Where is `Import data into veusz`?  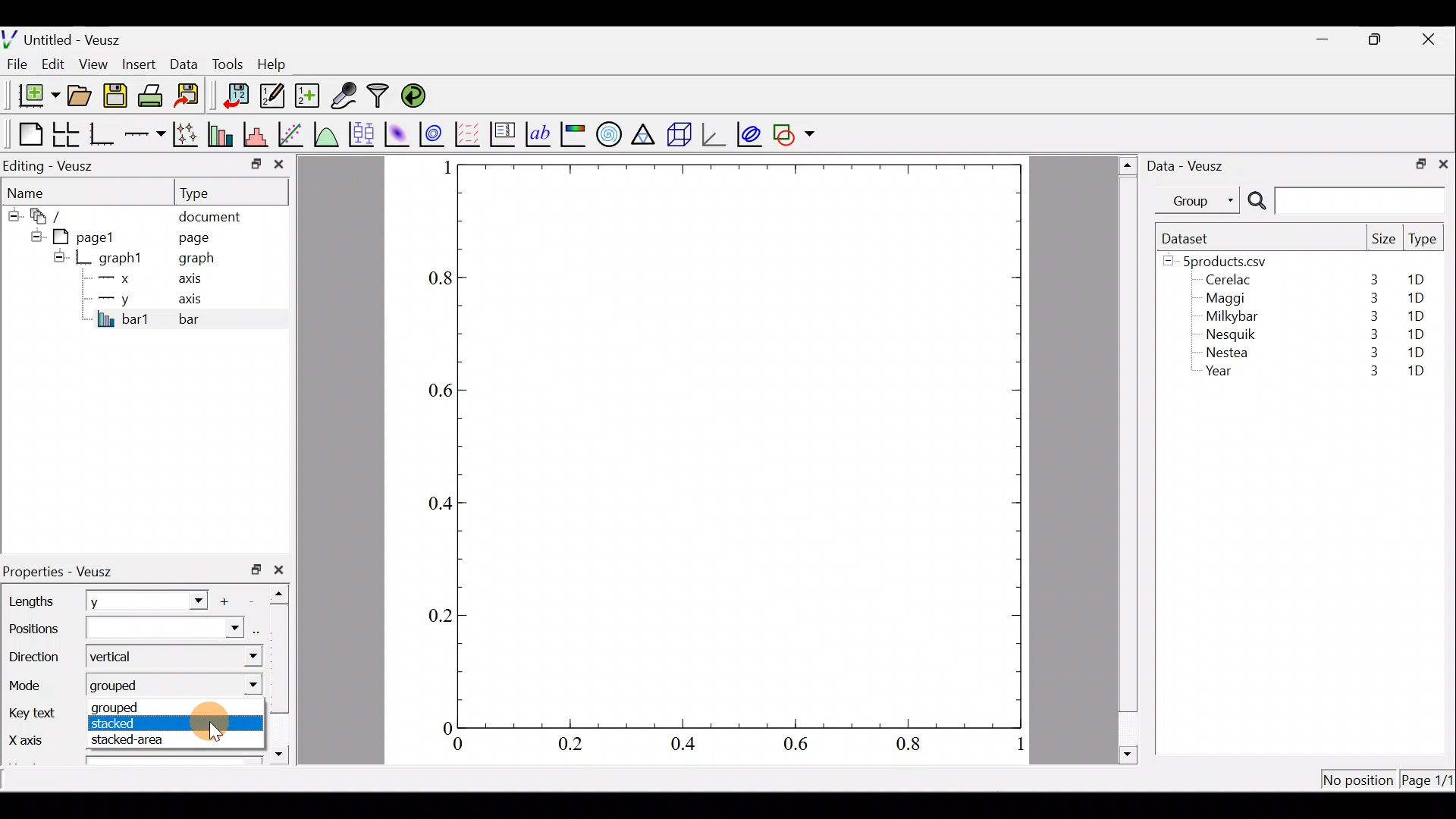 Import data into veusz is located at coordinates (237, 96).